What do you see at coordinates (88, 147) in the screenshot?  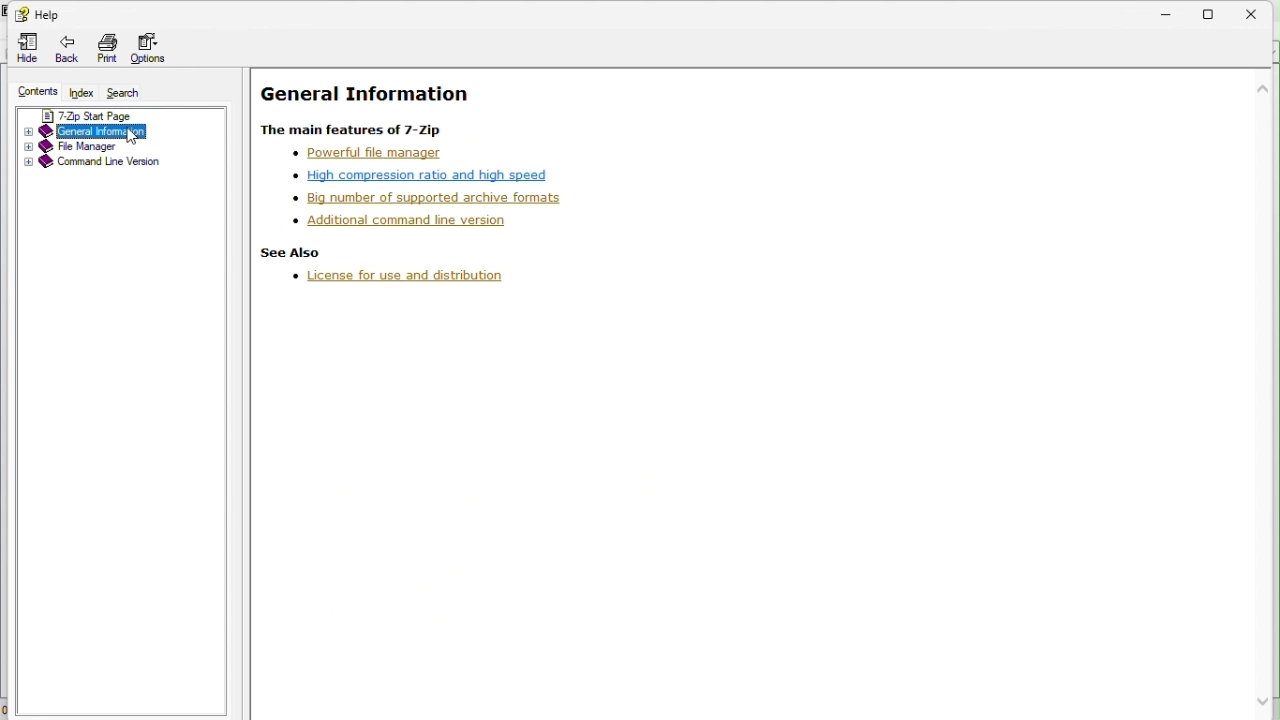 I see `File manager` at bounding box center [88, 147].